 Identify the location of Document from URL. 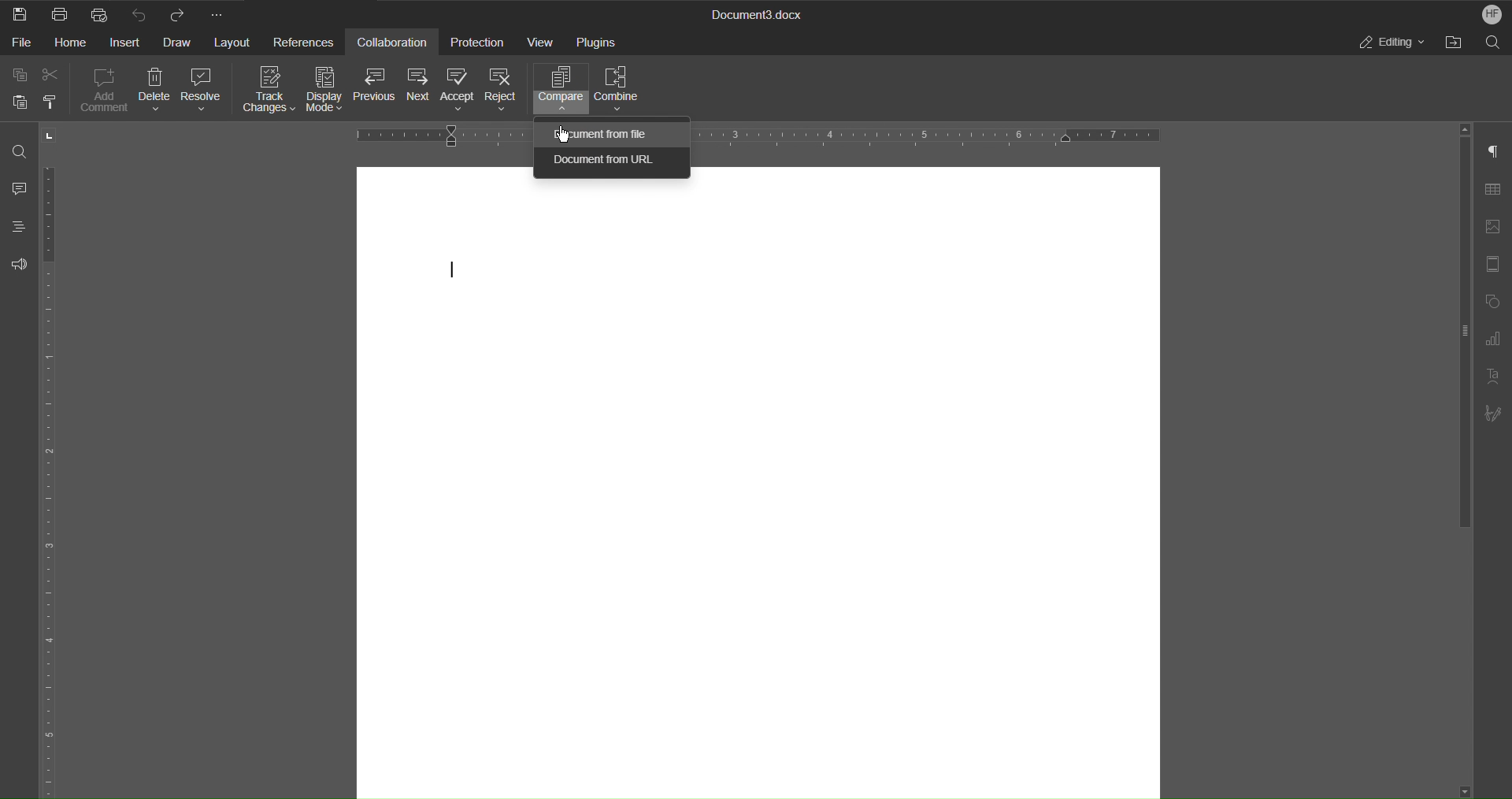
(610, 165).